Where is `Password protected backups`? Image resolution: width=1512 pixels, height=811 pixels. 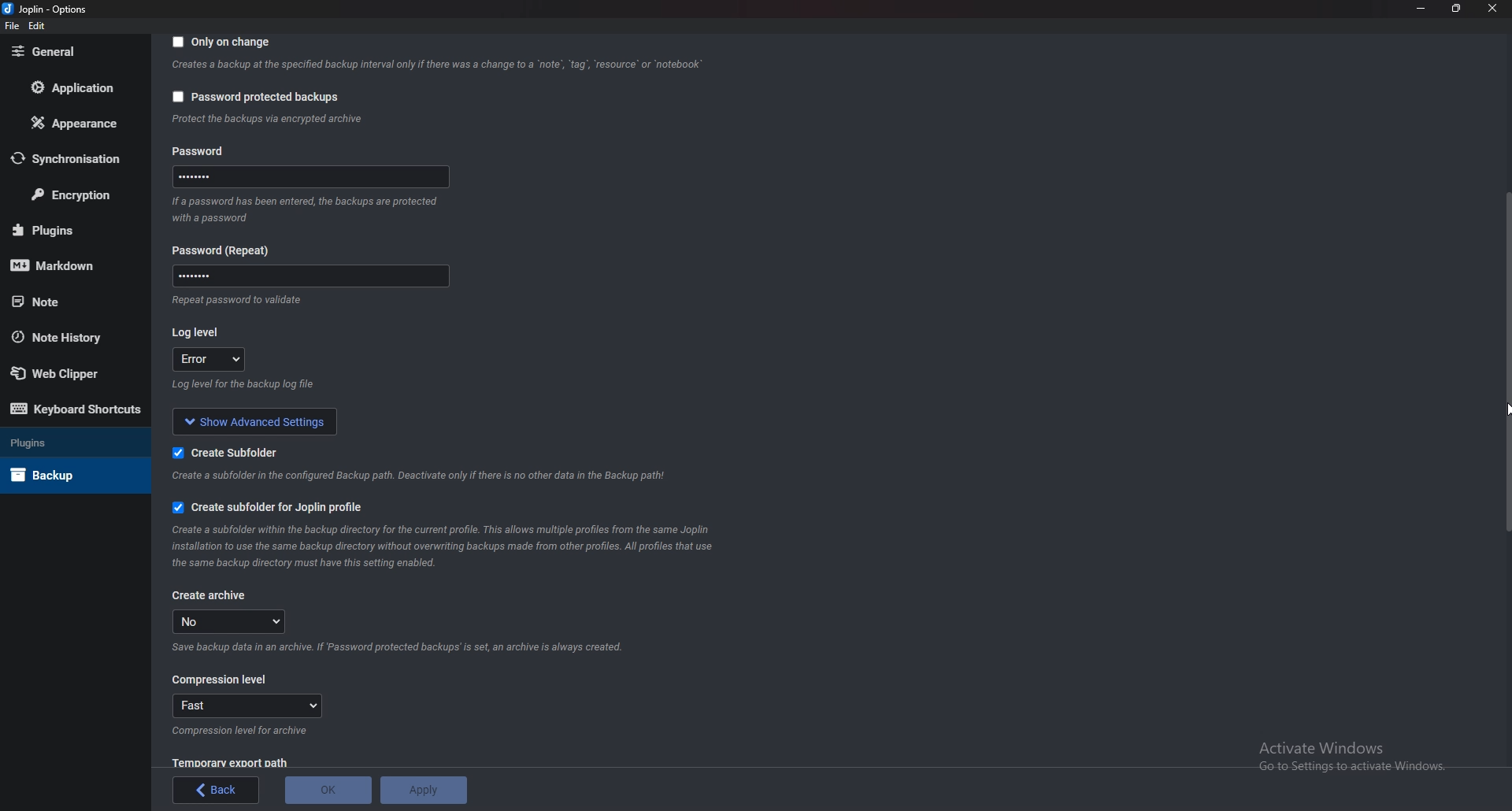 Password protected backups is located at coordinates (255, 97).